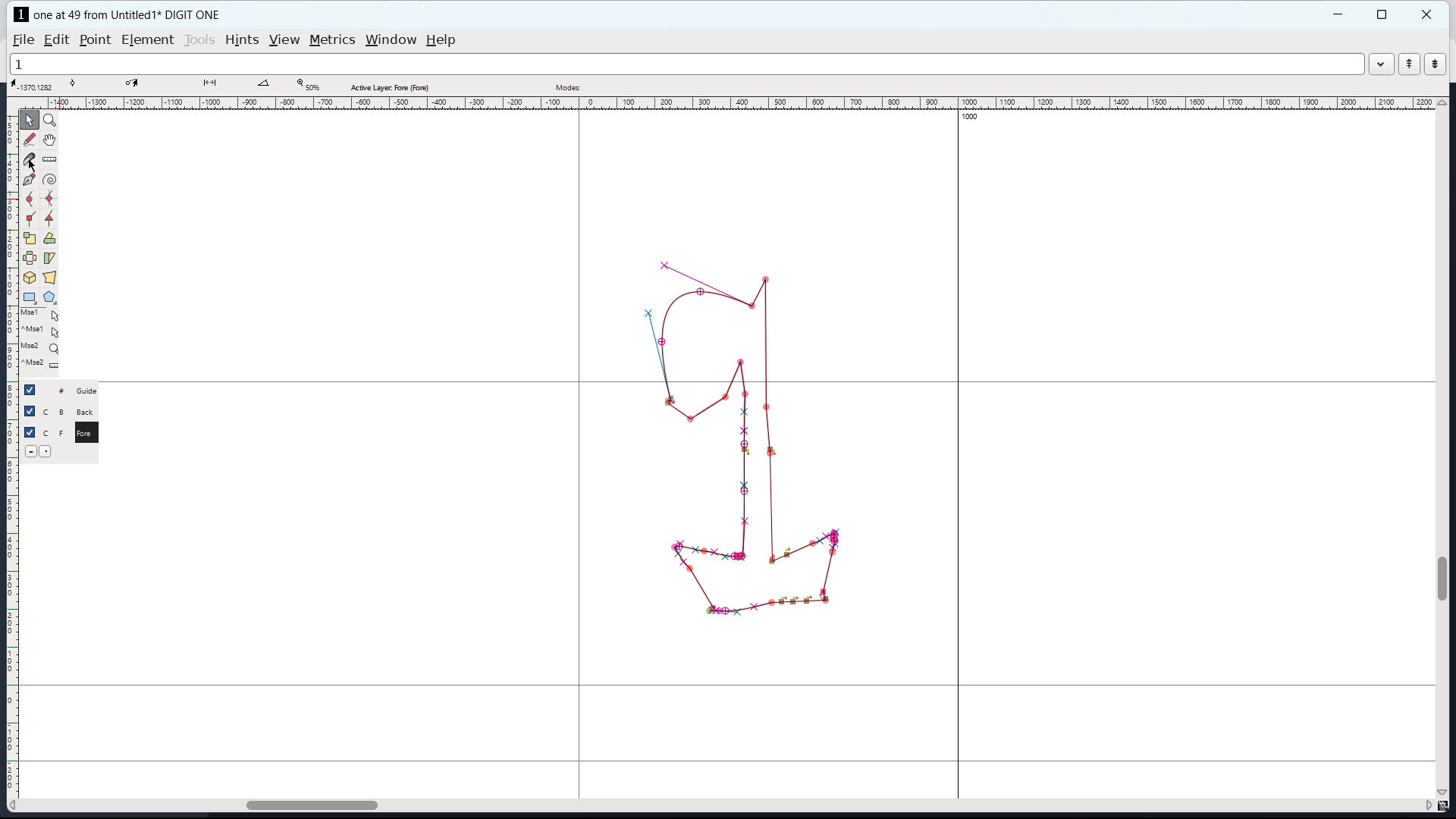 The image size is (1456, 819). What do you see at coordinates (304, 803) in the screenshot?
I see `horizontal scrollbar` at bounding box center [304, 803].